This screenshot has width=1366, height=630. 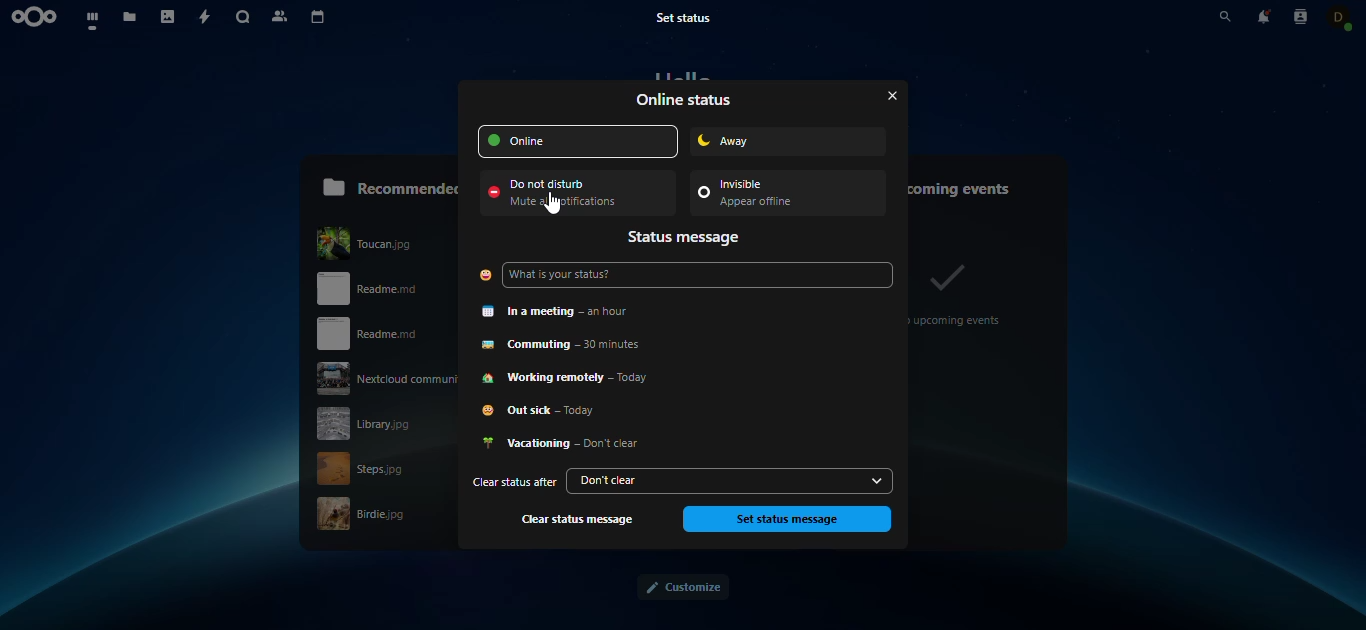 I want to click on search, so click(x=1210, y=17).